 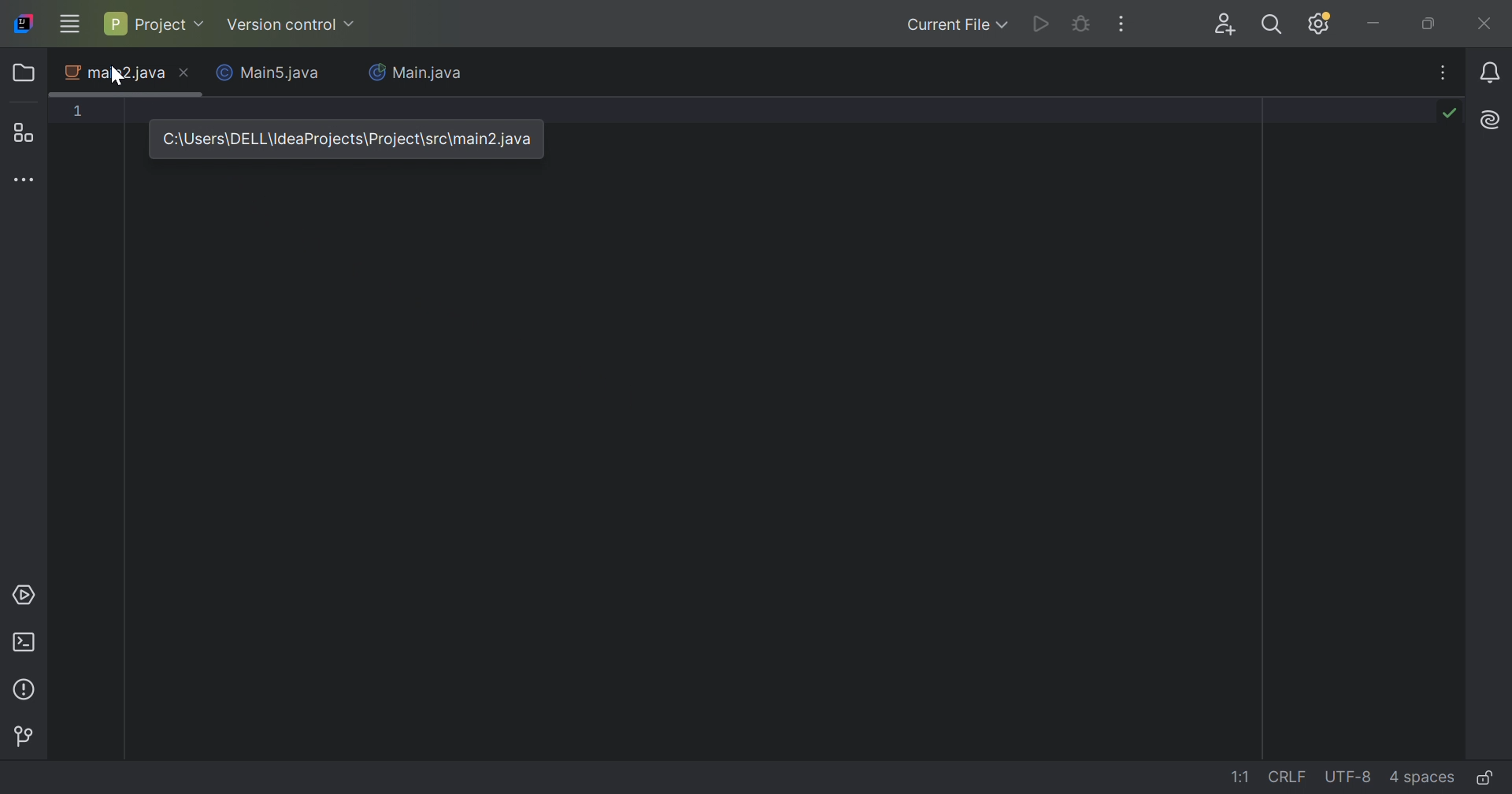 What do you see at coordinates (1276, 27) in the screenshot?
I see `Search everywhere` at bounding box center [1276, 27].